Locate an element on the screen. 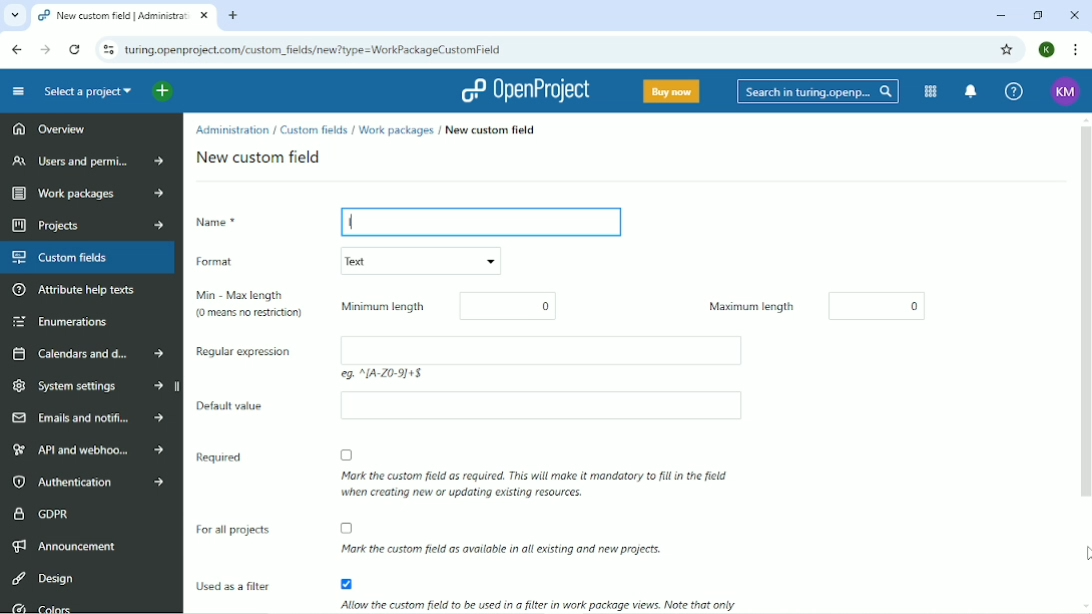 The height and width of the screenshot is (614, 1092). Maximum length is located at coordinates (747, 306).